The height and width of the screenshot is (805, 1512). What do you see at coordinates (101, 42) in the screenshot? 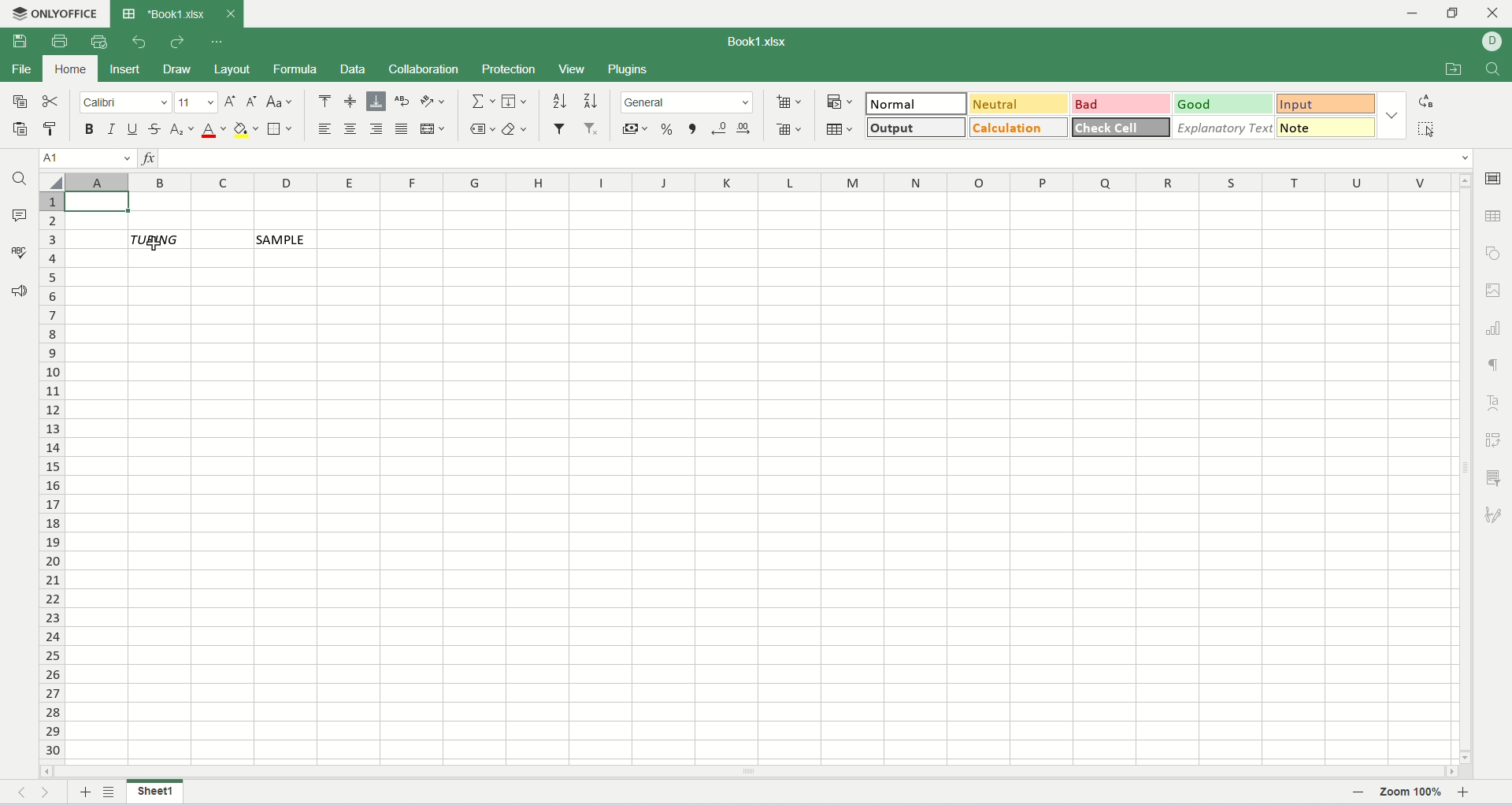
I see `quick print` at bounding box center [101, 42].